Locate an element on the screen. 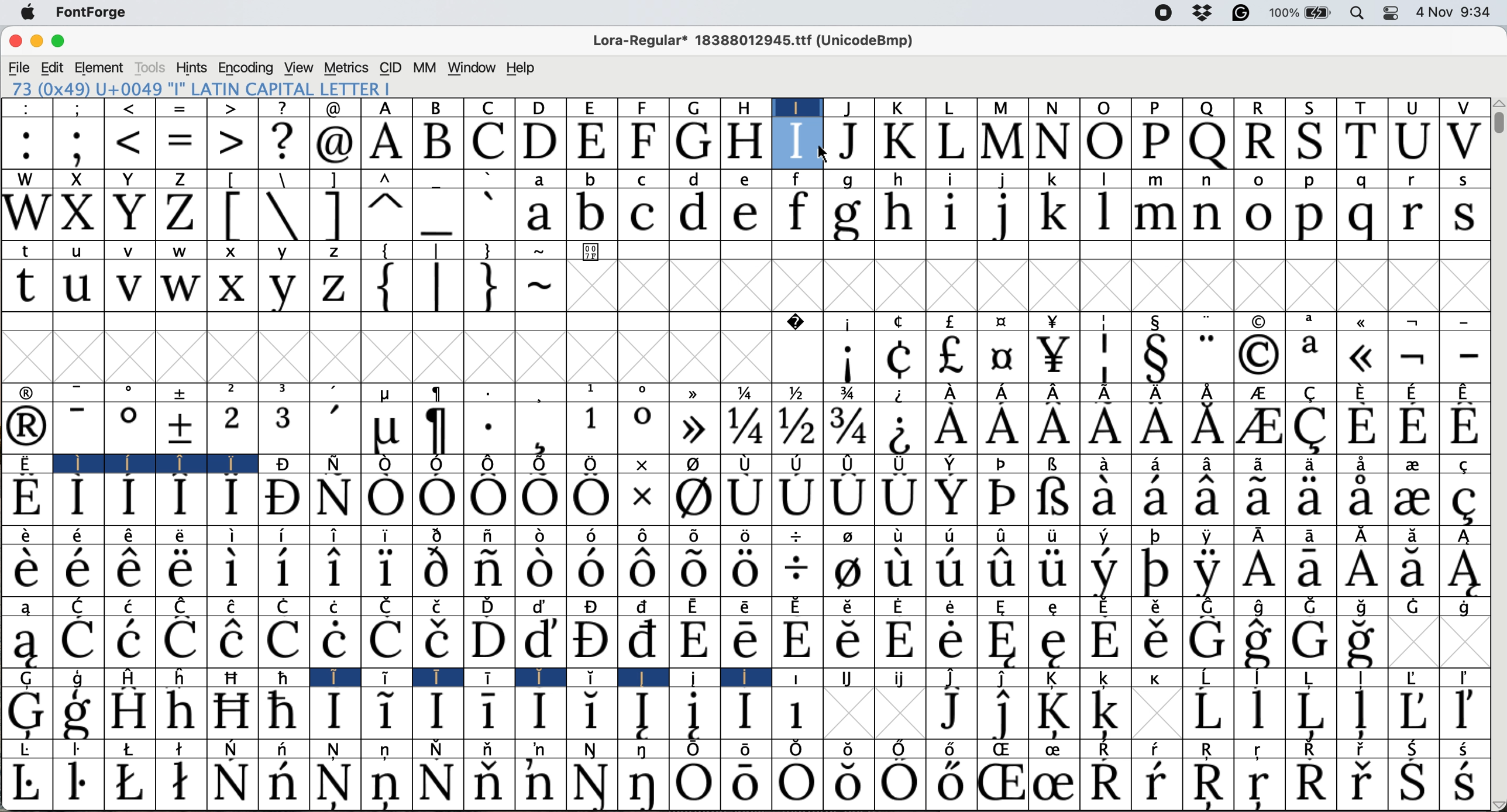  Symbol is located at coordinates (232, 571).